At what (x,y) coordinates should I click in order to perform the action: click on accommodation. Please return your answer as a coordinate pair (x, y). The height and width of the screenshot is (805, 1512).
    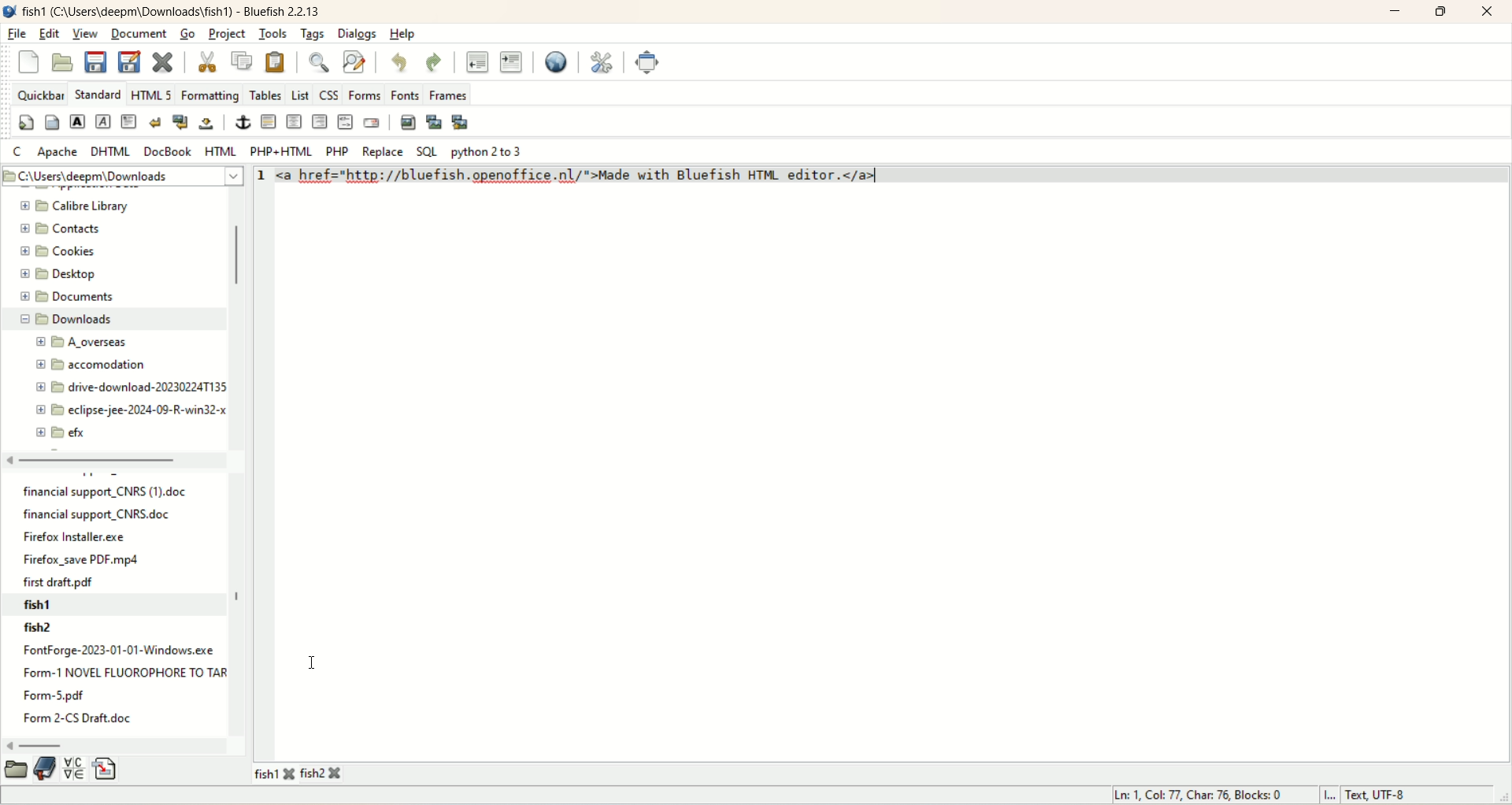
    Looking at the image, I should click on (91, 365).